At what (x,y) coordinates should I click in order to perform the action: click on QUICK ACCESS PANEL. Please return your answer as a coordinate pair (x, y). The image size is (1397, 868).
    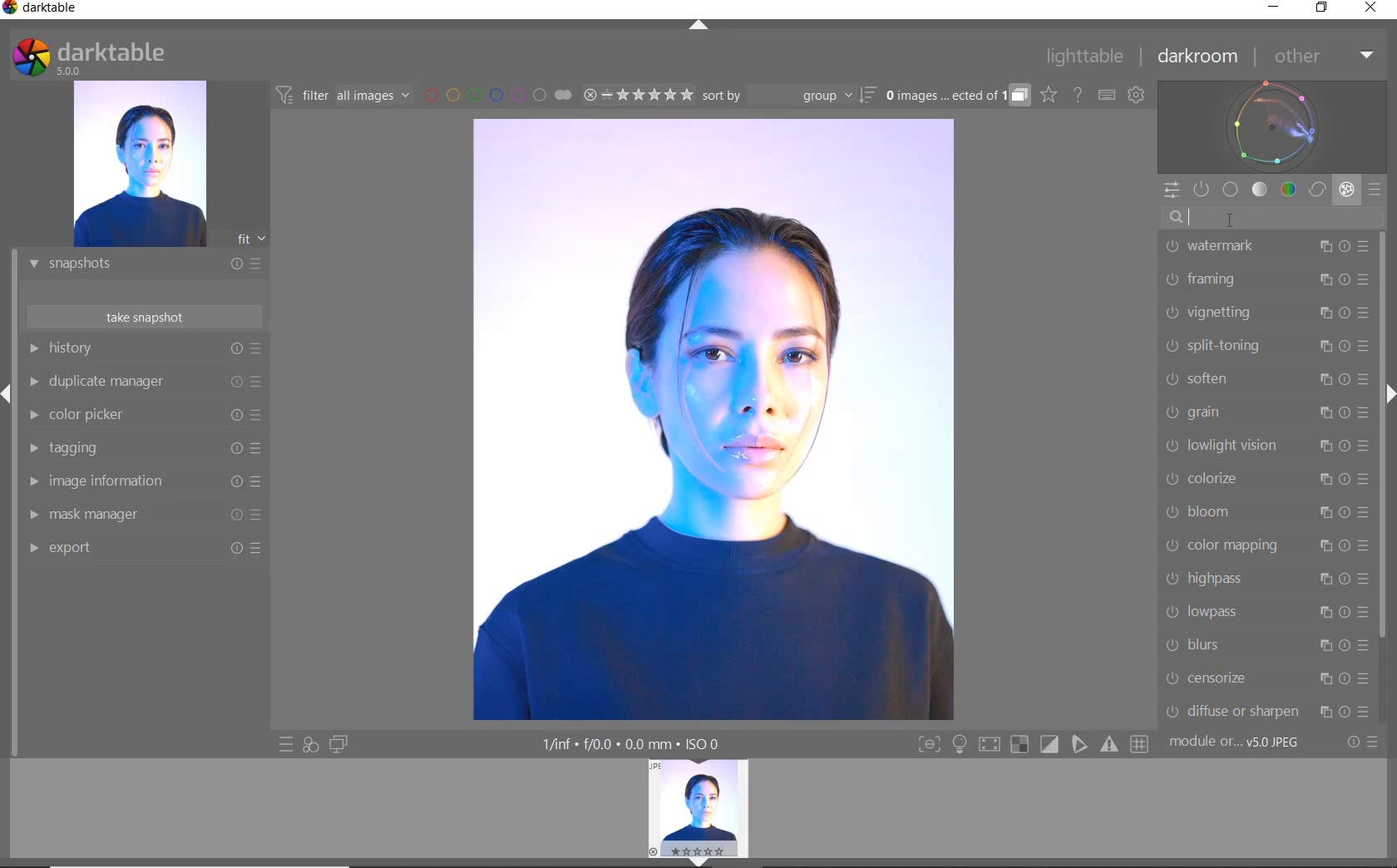
    Looking at the image, I should click on (1171, 191).